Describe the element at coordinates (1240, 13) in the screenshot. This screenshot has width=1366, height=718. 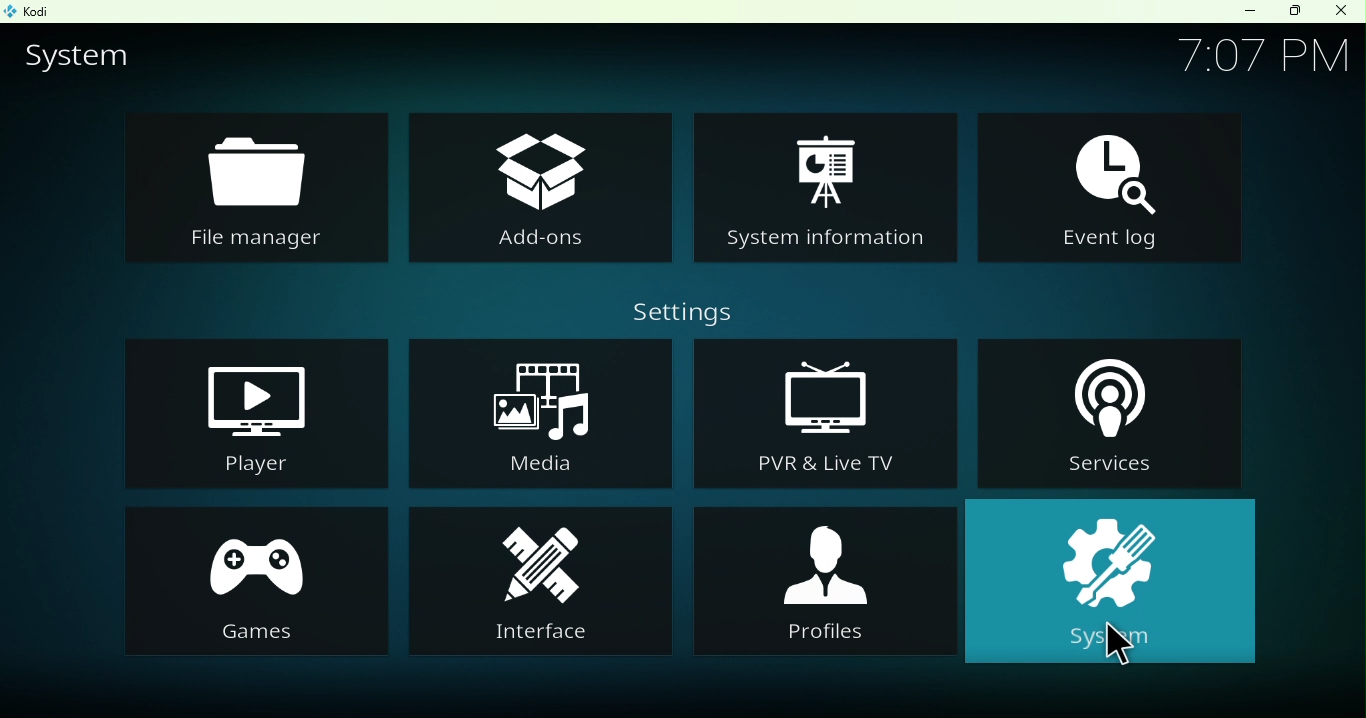
I see `Minimize` at that location.